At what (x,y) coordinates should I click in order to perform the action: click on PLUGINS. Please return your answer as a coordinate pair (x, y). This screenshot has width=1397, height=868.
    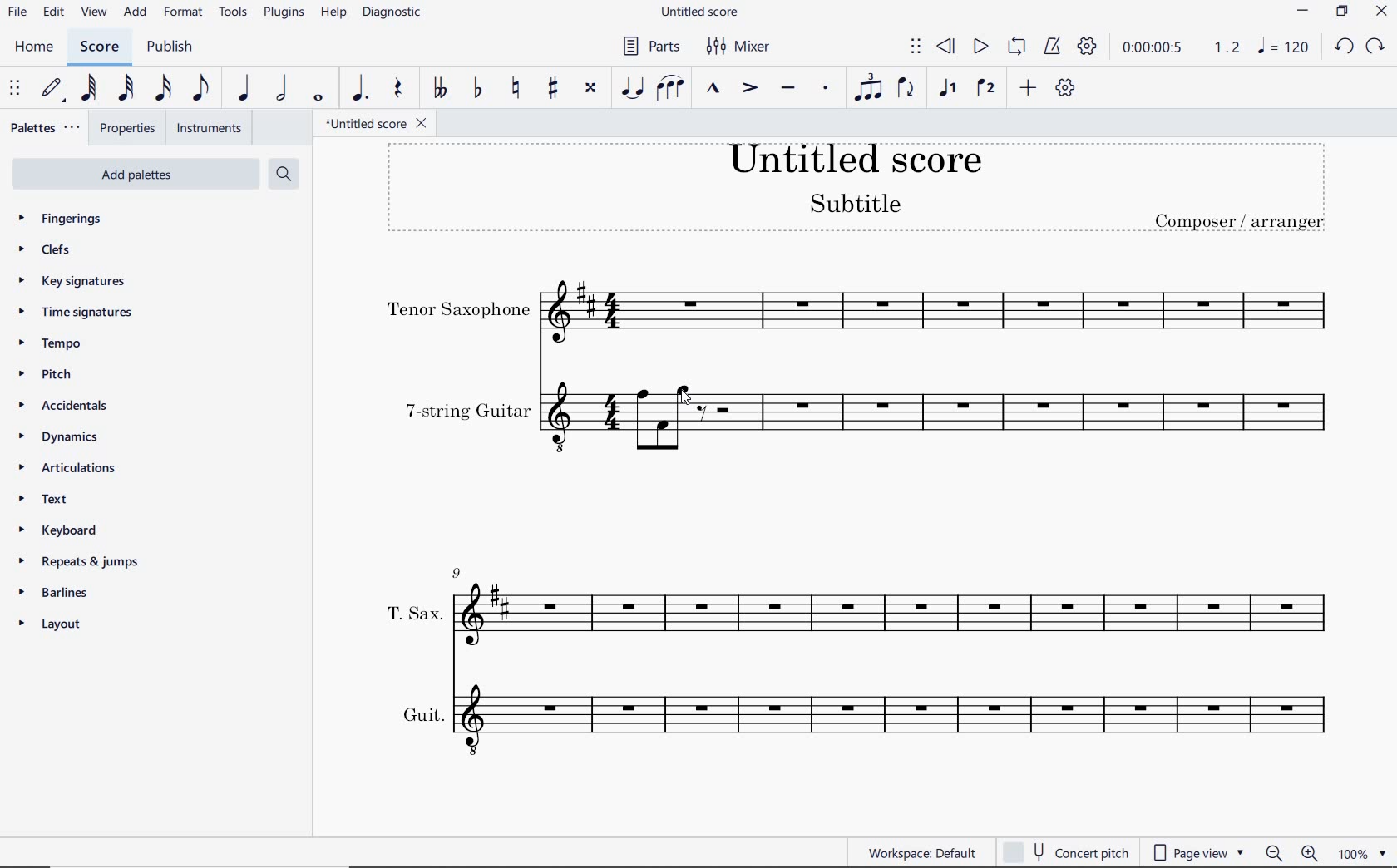
    Looking at the image, I should click on (284, 16).